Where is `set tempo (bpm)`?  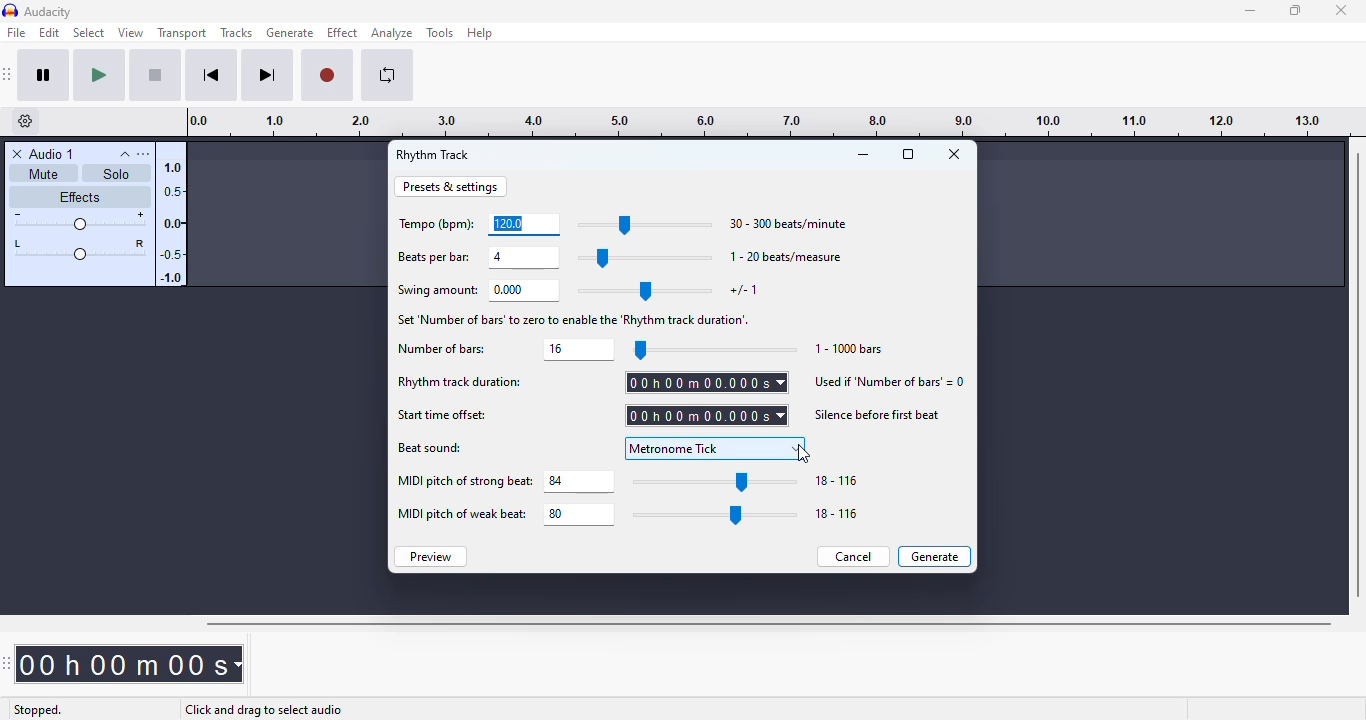
set tempo (bpm) is located at coordinates (525, 225).